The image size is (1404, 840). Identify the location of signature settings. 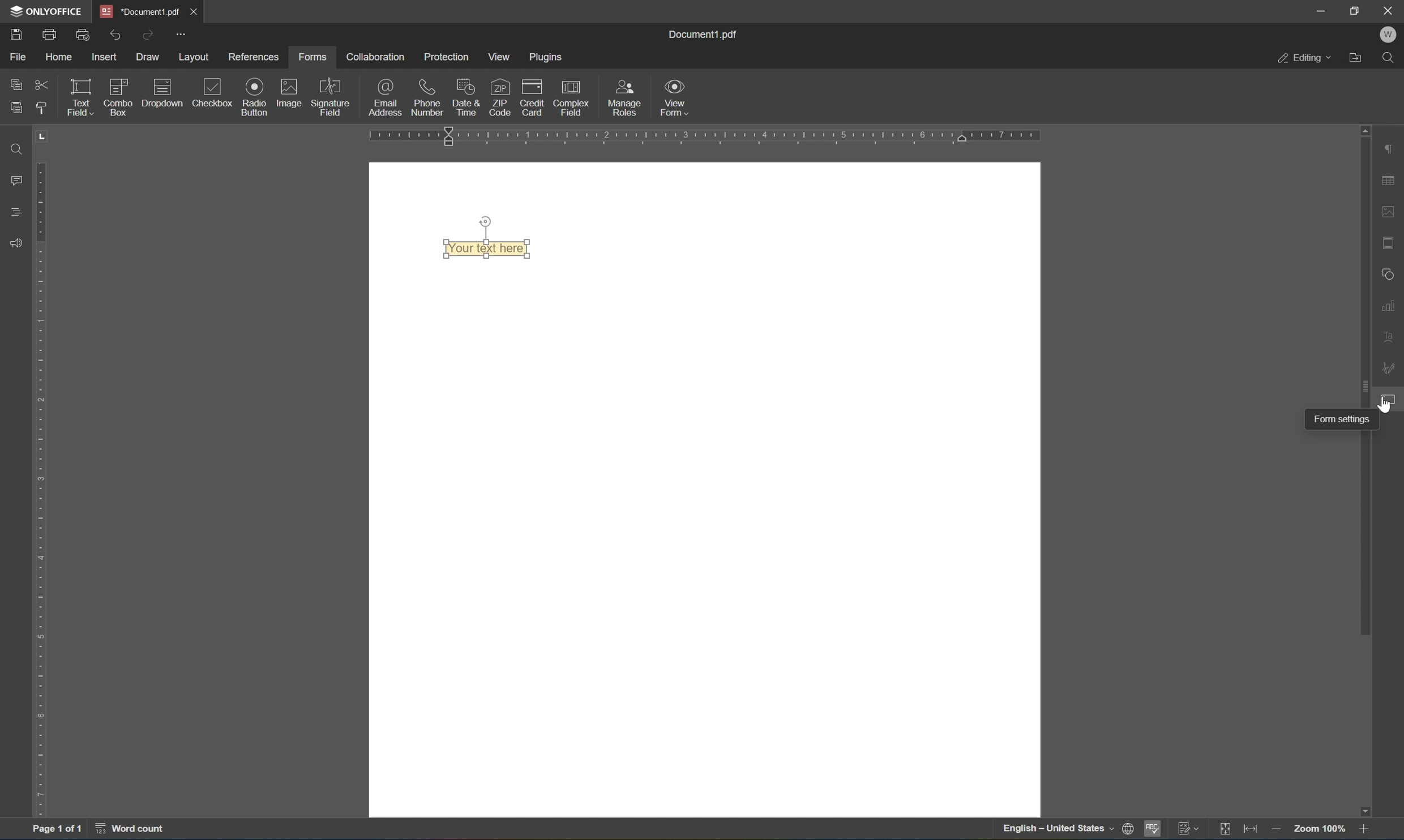
(1388, 365).